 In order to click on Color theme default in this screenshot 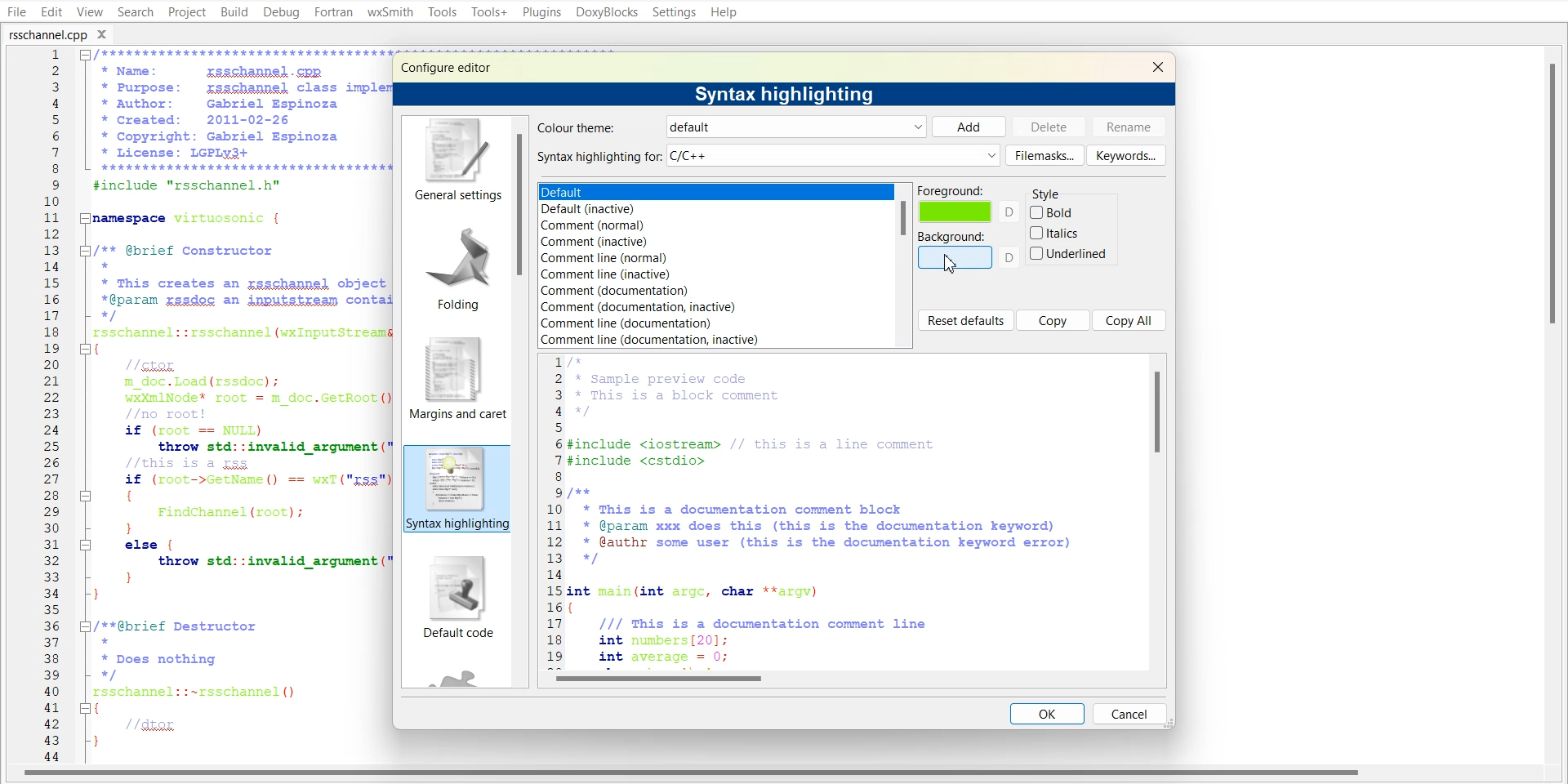, I will do `click(728, 127)`.